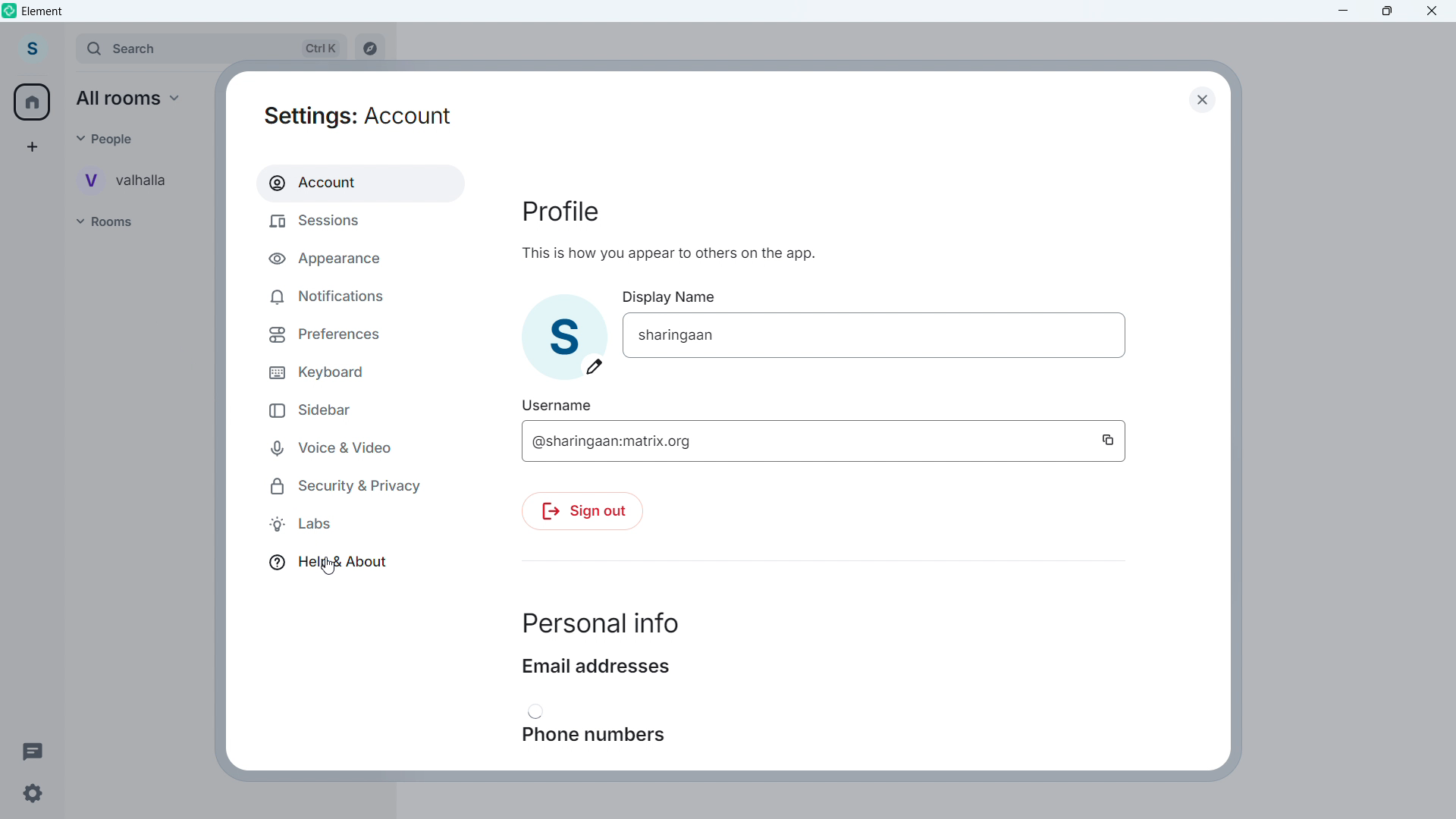 This screenshot has width=1456, height=819. Describe the element at coordinates (305, 412) in the screenshot. I see `Sidebar ` at that location.